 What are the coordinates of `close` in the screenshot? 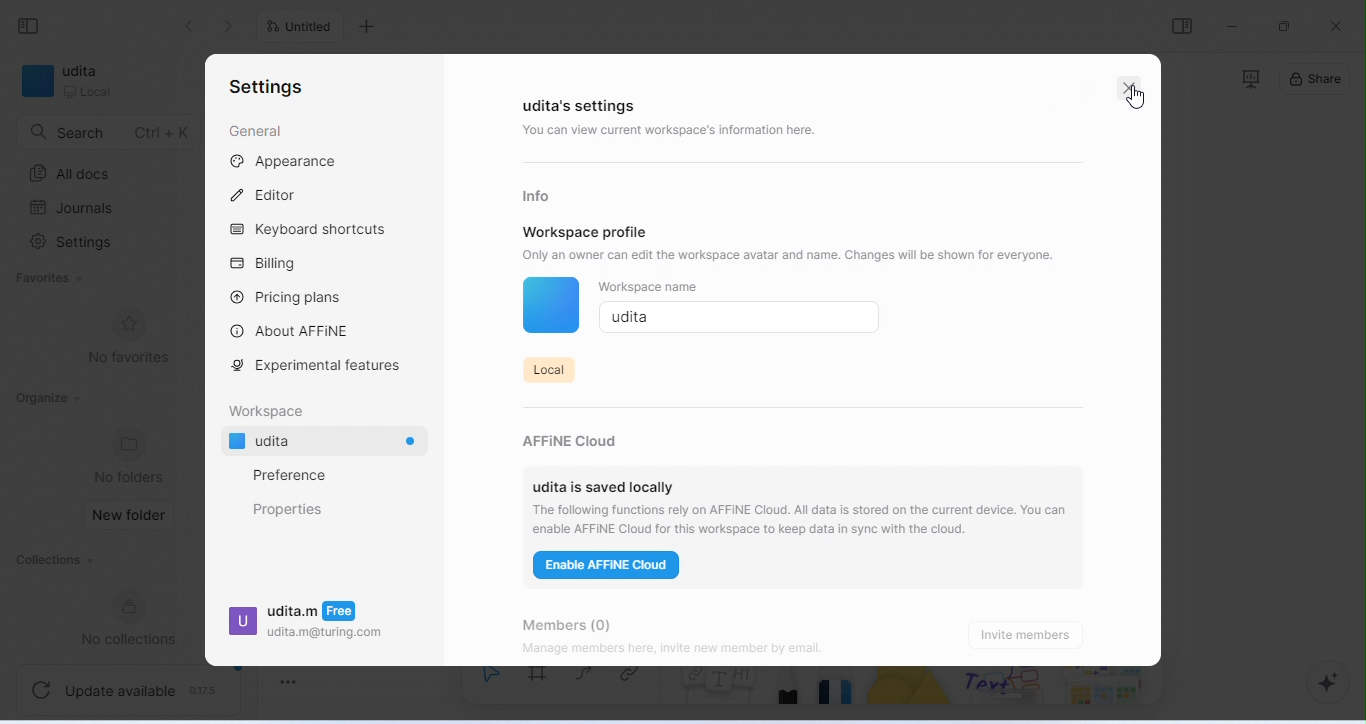 It's located at (1129, 87).